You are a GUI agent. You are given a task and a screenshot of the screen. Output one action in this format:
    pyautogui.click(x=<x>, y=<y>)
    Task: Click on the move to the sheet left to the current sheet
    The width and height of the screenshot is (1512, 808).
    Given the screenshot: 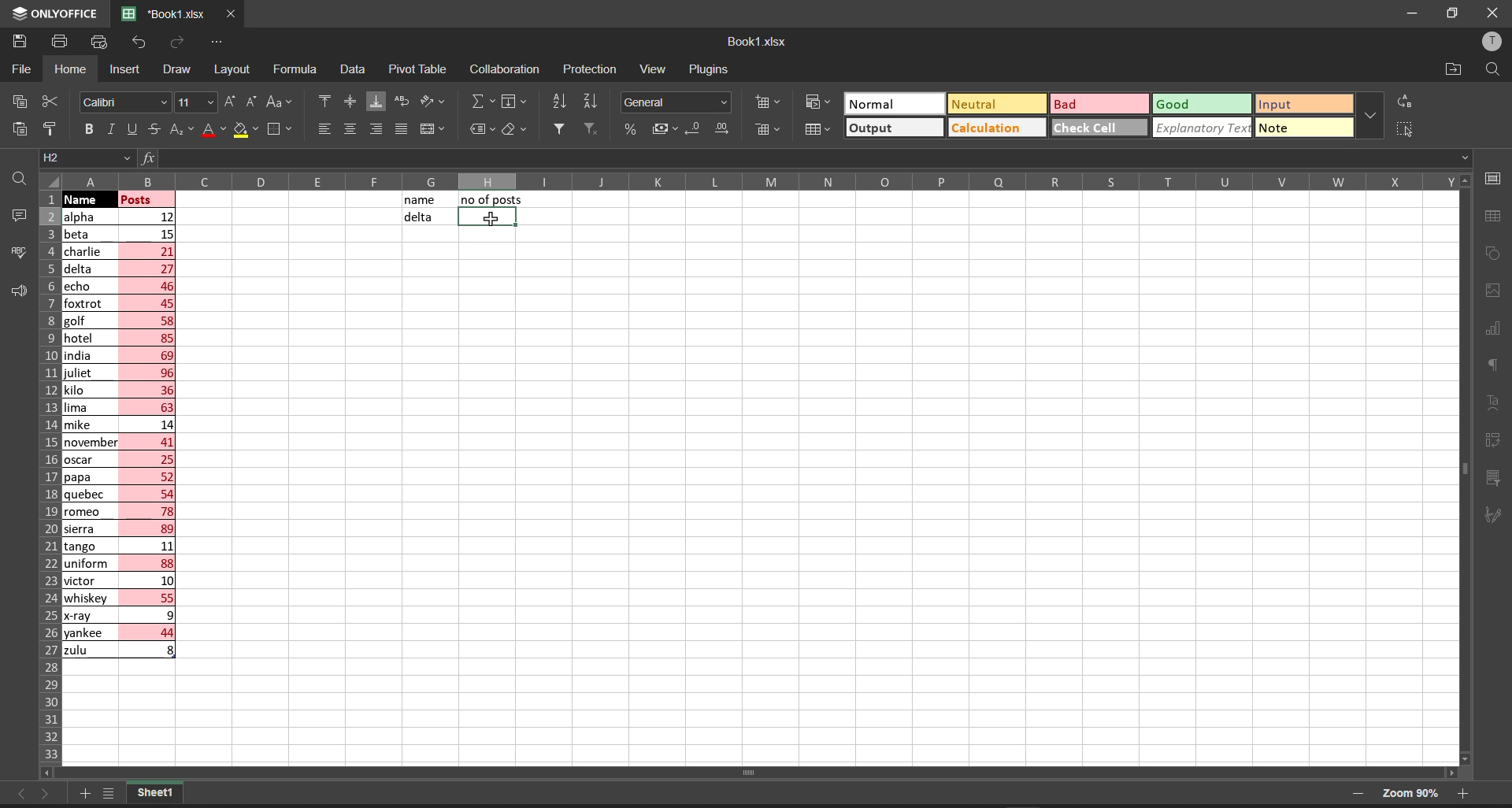 What is the action you would take?
    pyautogui.click(x=18, y=794)
    